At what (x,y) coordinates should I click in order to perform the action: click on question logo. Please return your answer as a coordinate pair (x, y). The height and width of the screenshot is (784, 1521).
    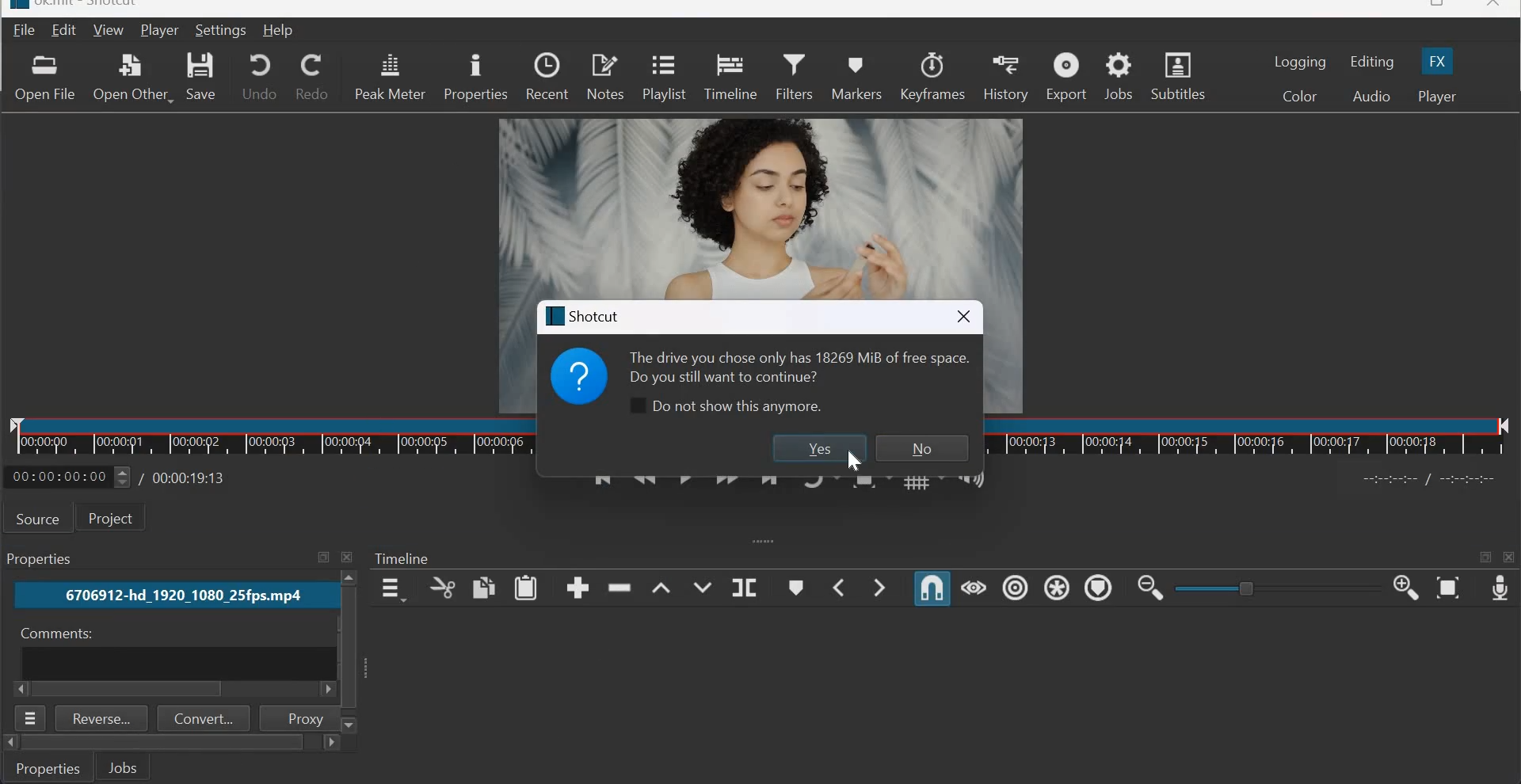
    Looking at the image, I should click on (579, 375).